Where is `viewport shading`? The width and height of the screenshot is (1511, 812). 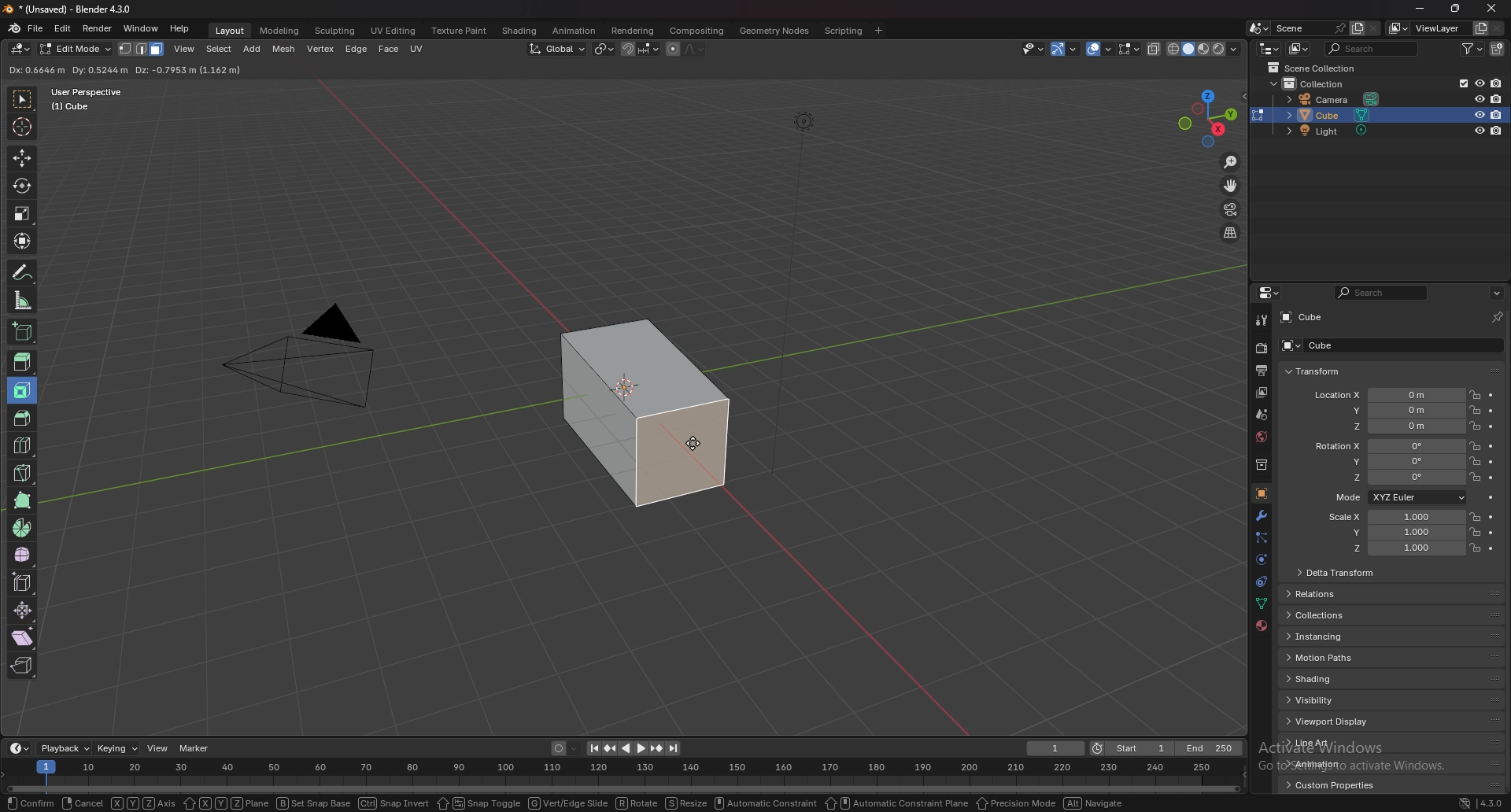 viewport shading is located at coordinates (1206, 49).